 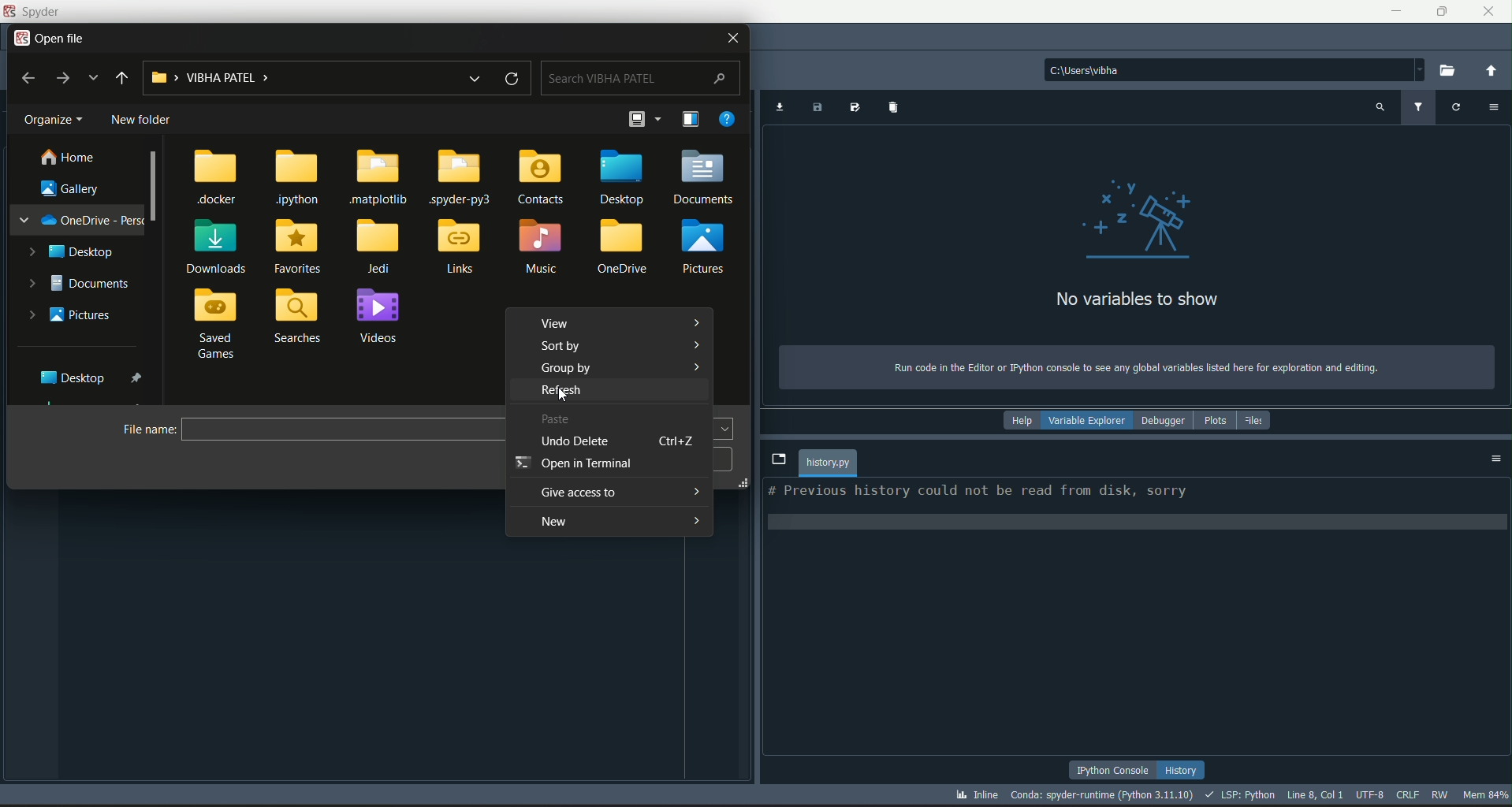 What do you see at coordinates (696, 344) in the screenshot?
I see `arrow` at bounding box center [696, 344].